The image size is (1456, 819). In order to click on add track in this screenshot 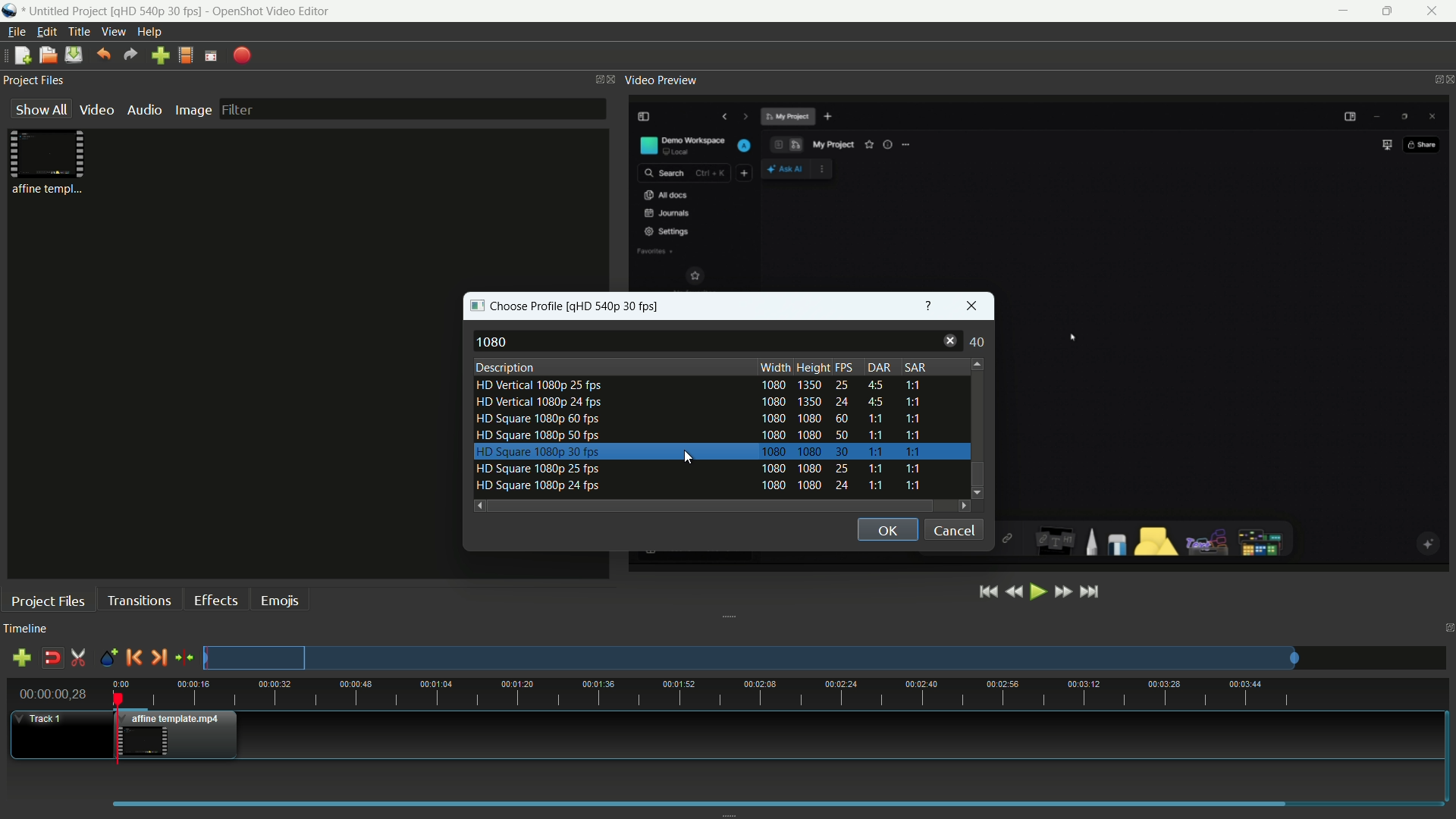, I will do `click(24, 657)`.